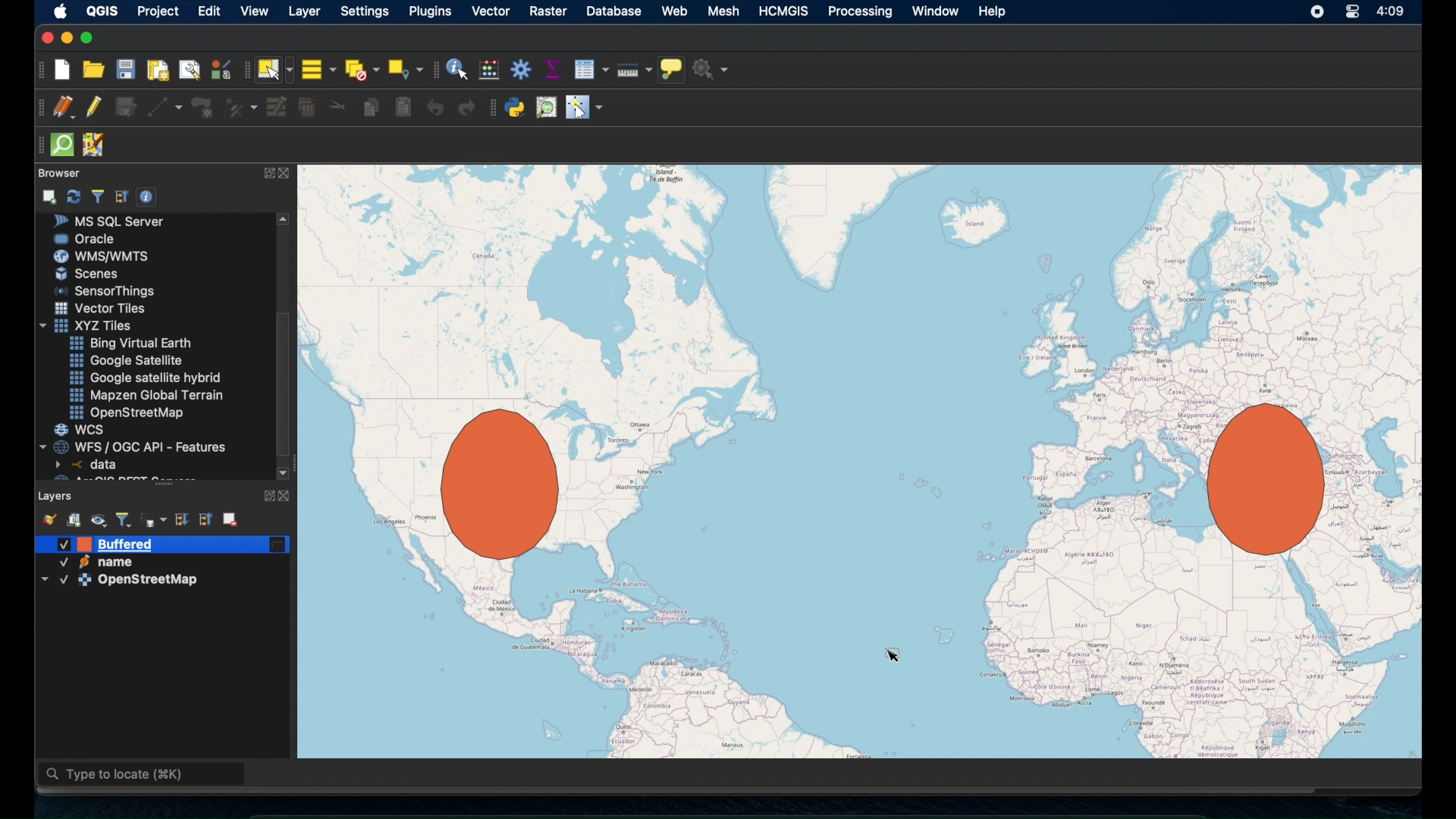 This screenshot has width=1456, height=819. I want to click on control center, so click(1349, 11).